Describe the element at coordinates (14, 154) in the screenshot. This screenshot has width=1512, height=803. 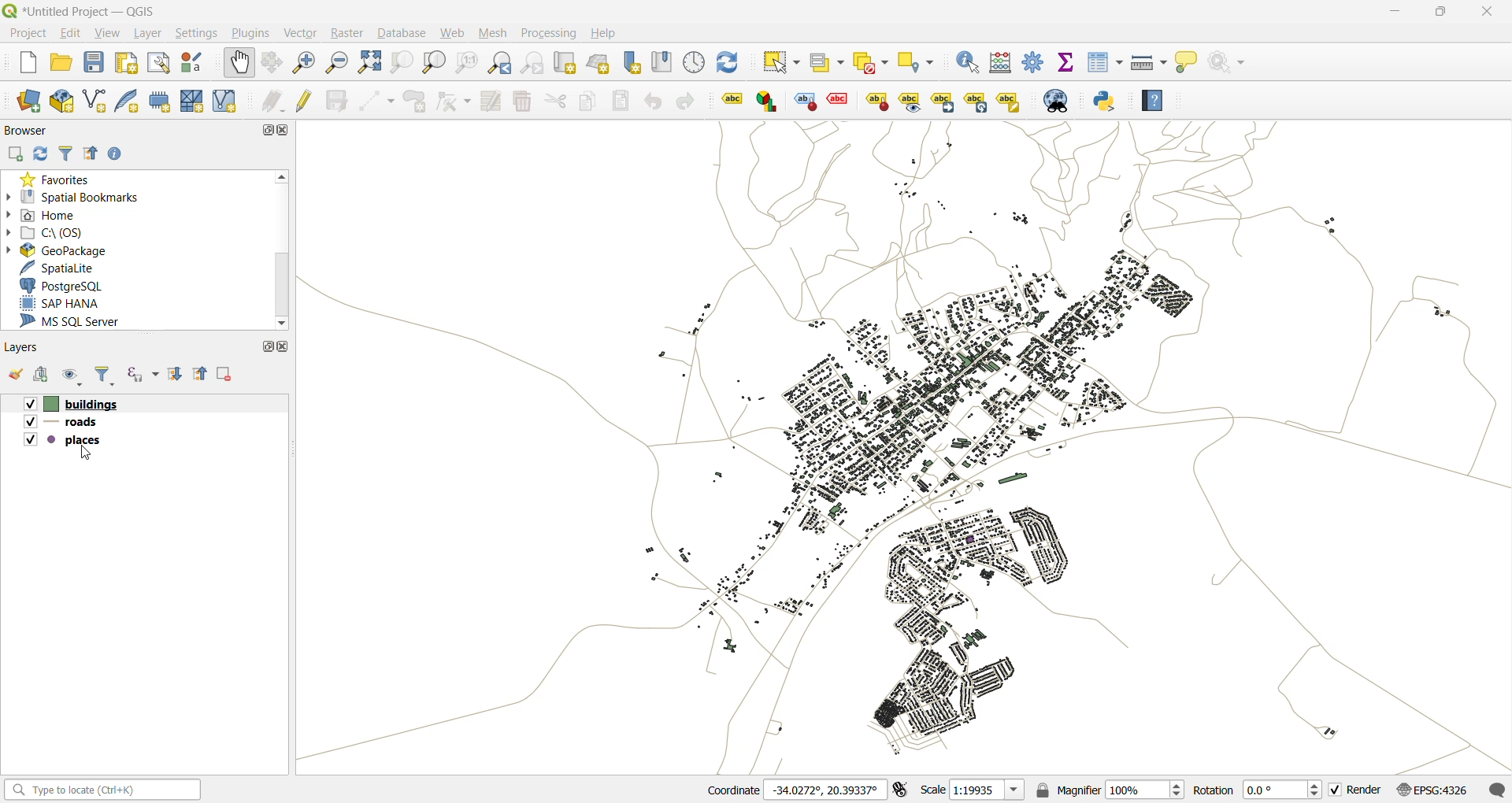
I see `add` at that location.